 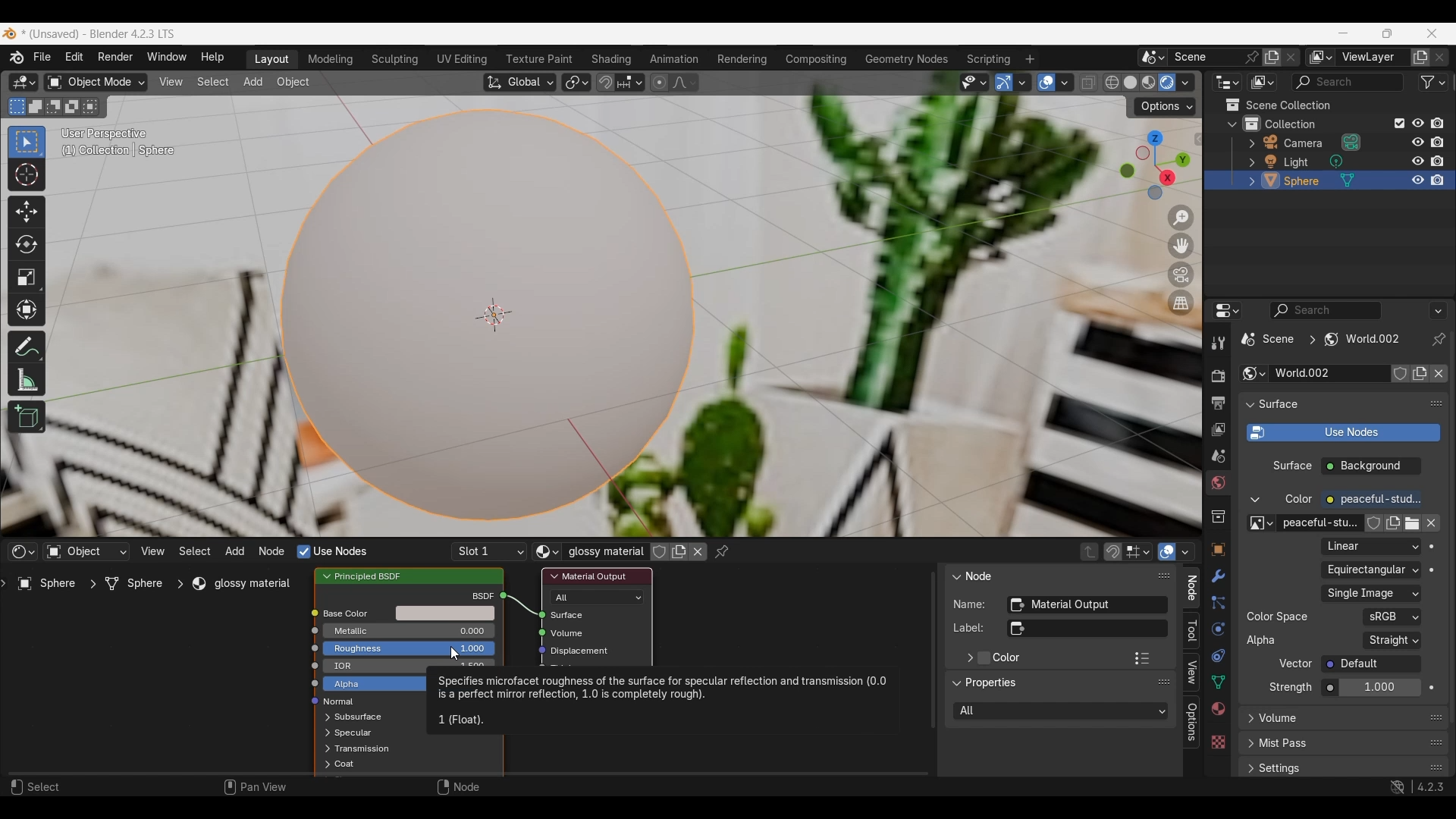 I want to click on Surface, so click(x=579, y=615).